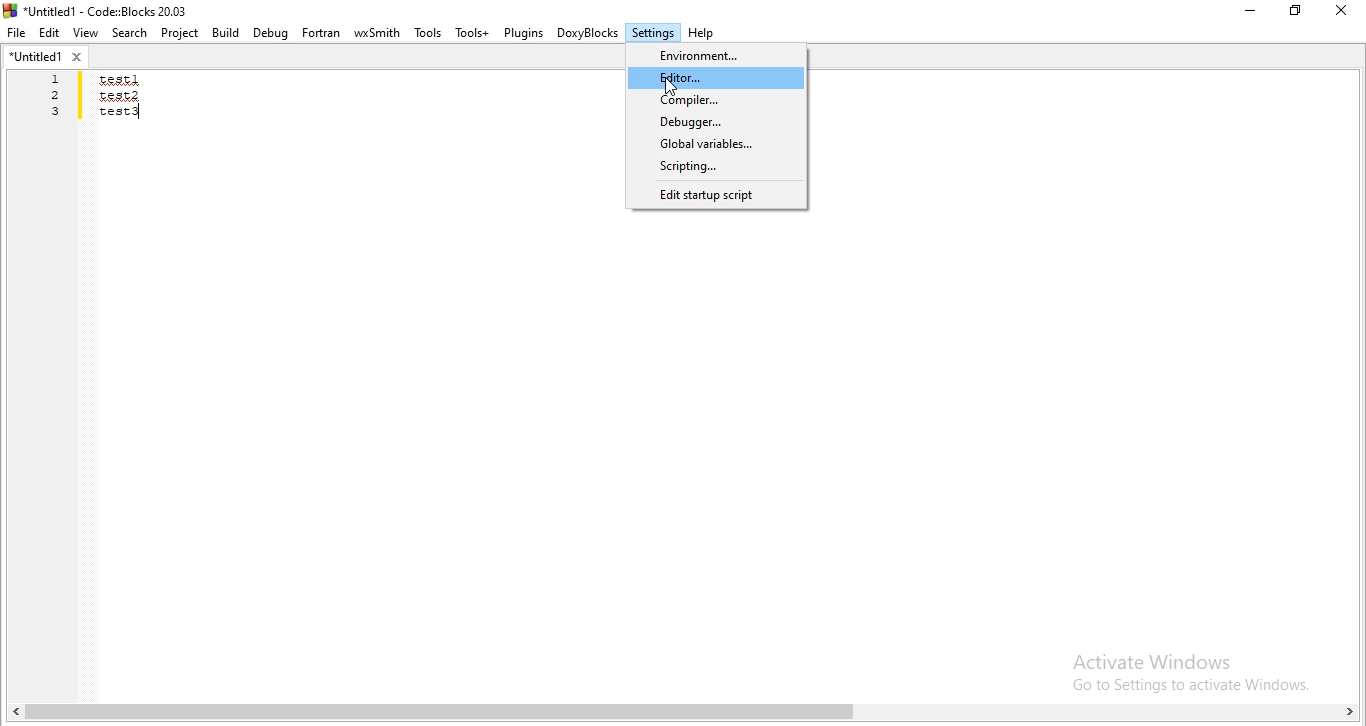 The image size is (1366, 726). I want to click on Project , so click(180, 34).